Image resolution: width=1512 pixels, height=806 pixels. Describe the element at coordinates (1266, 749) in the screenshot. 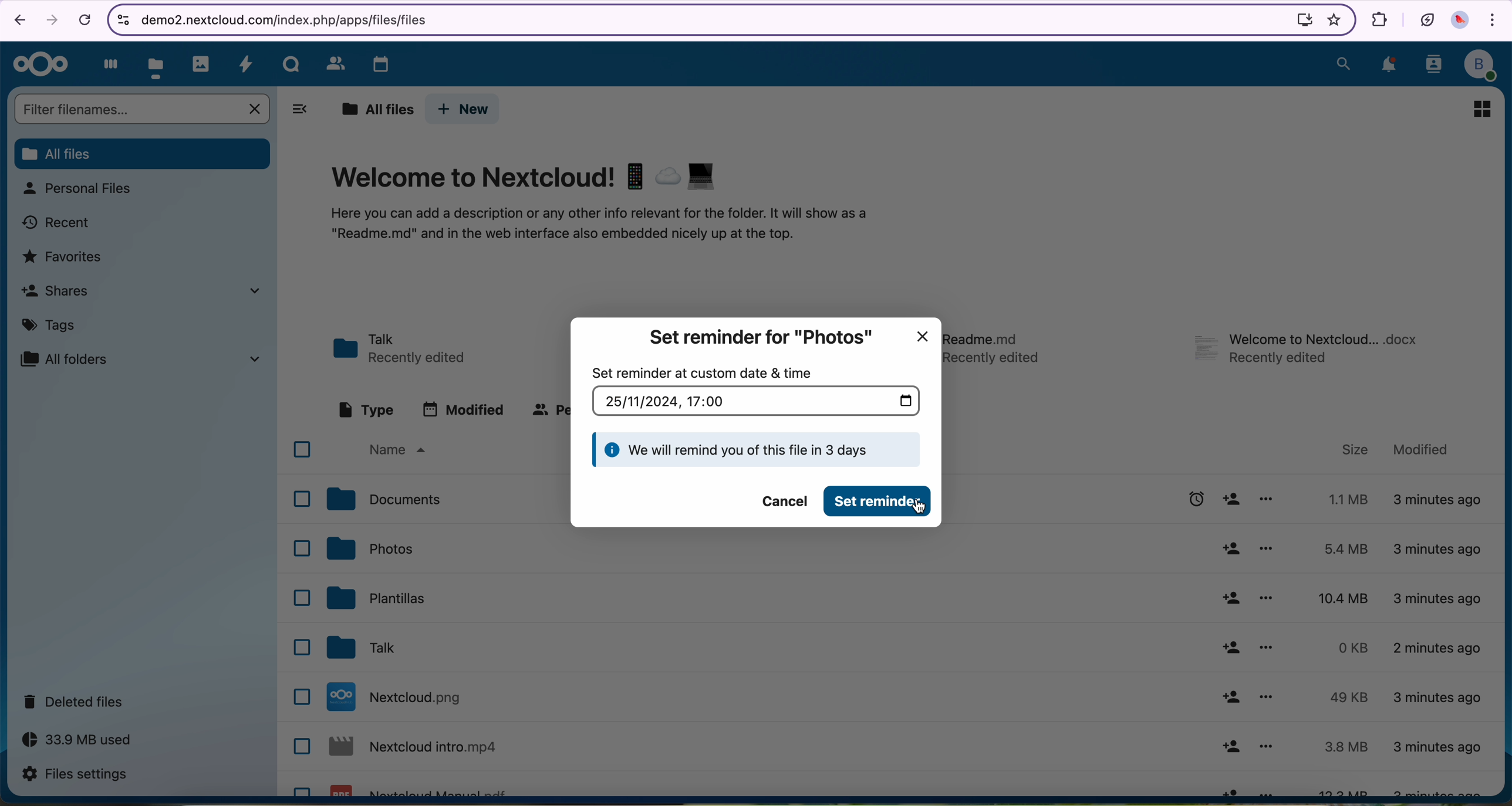

I see `more options` at that location.